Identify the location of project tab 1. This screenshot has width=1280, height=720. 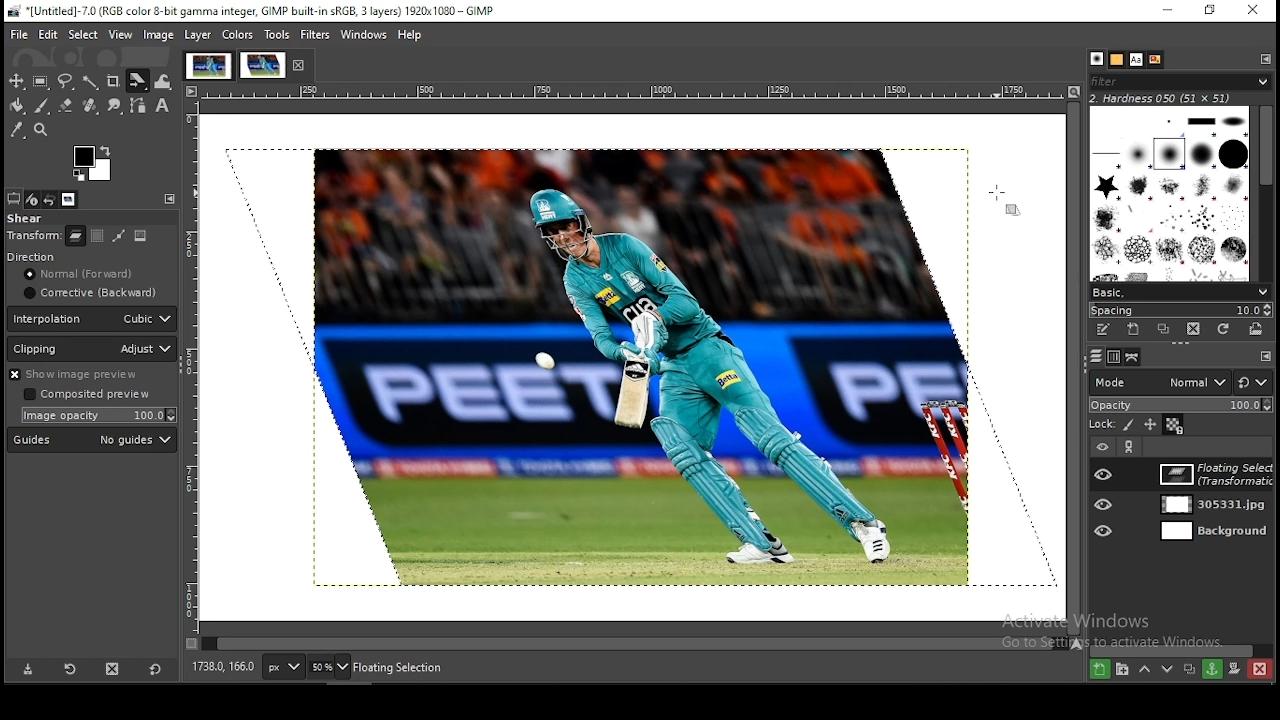
(208, 66).